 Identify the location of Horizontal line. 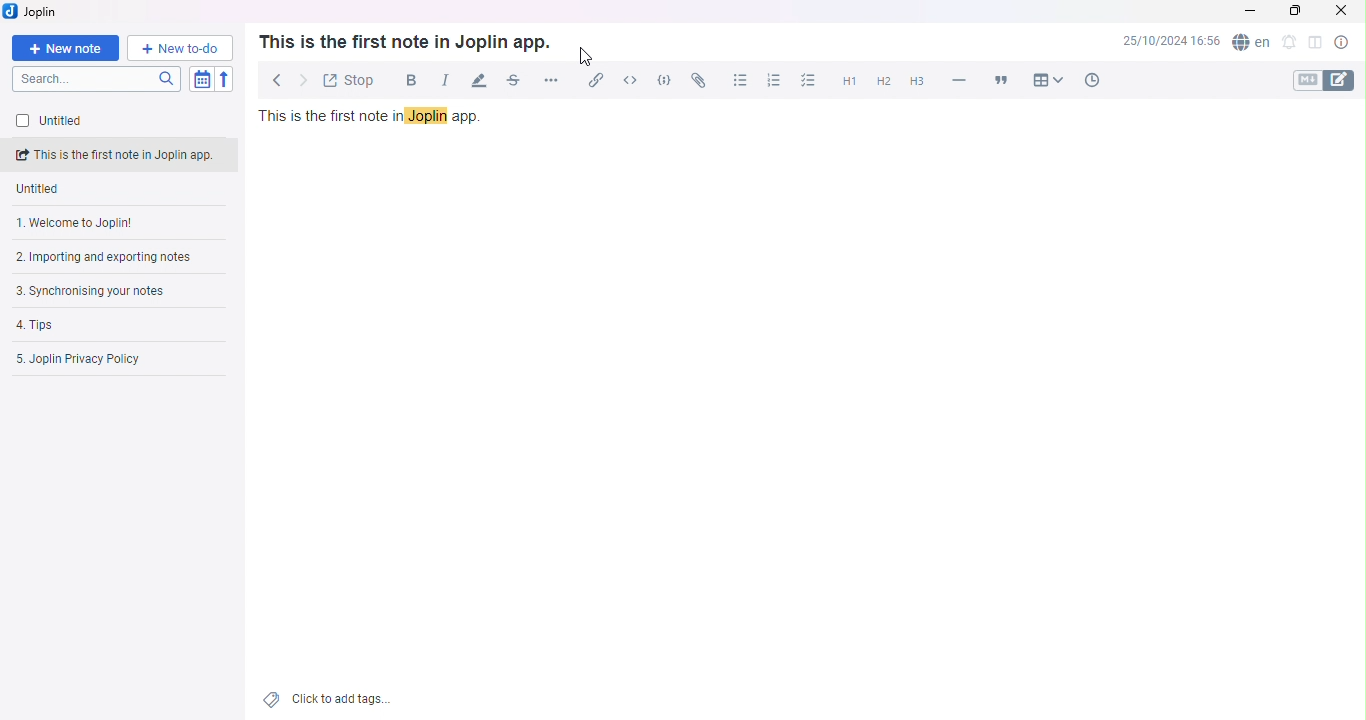
(959, 80).